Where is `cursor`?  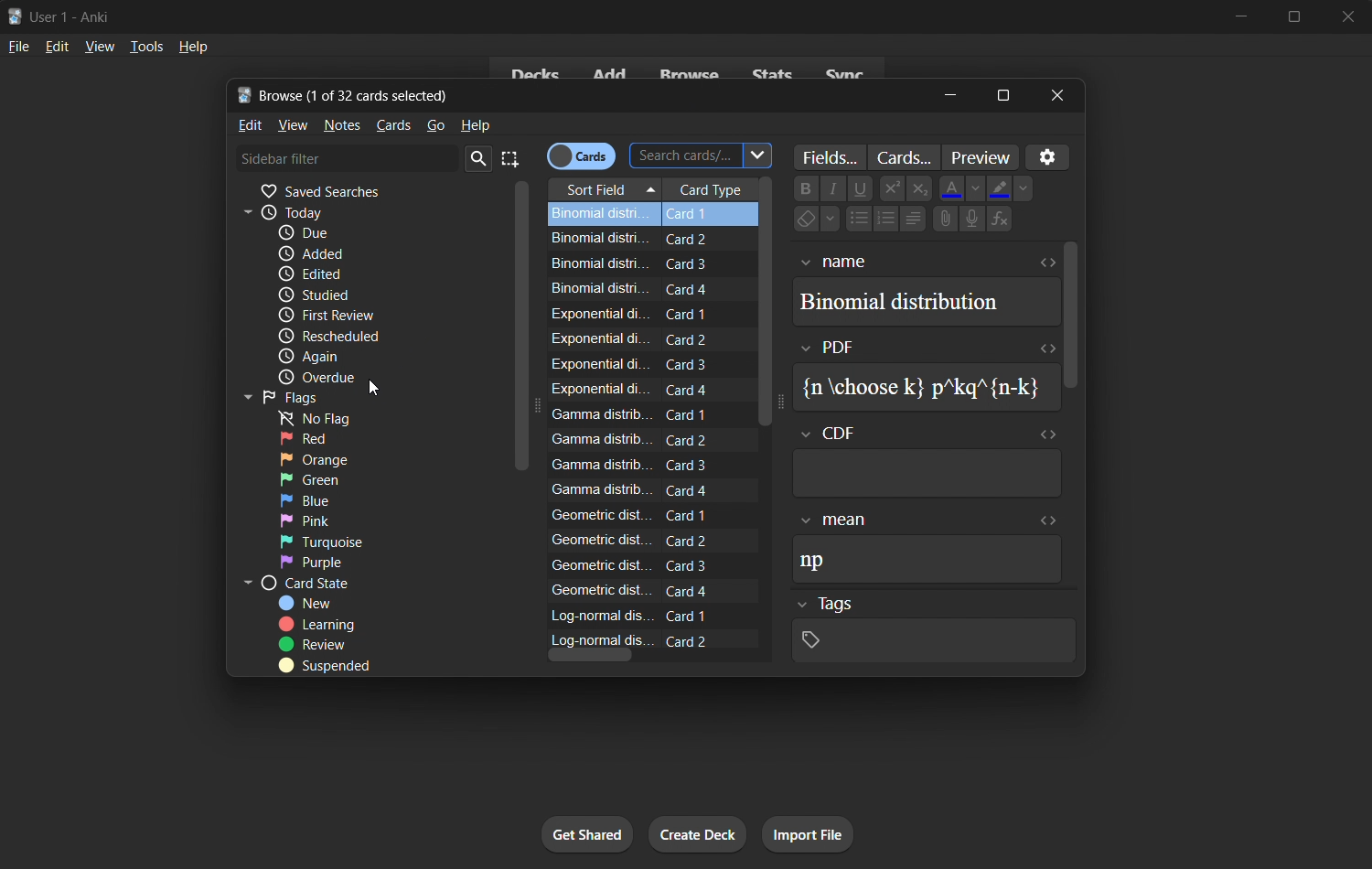 cursor is located at coordinates (368, 389).